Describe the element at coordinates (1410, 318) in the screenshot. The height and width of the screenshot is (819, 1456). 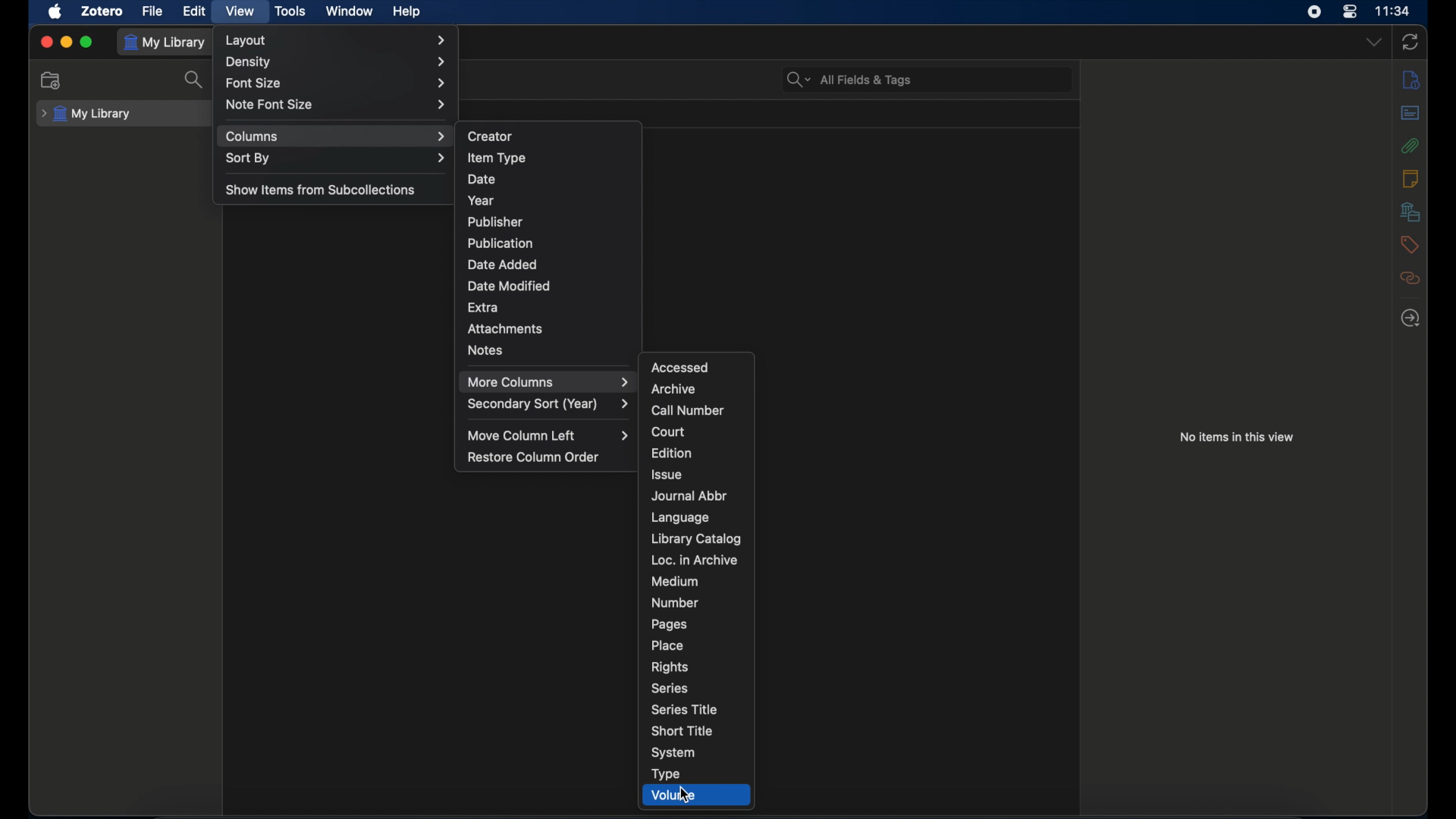
I see `locate` at that location.